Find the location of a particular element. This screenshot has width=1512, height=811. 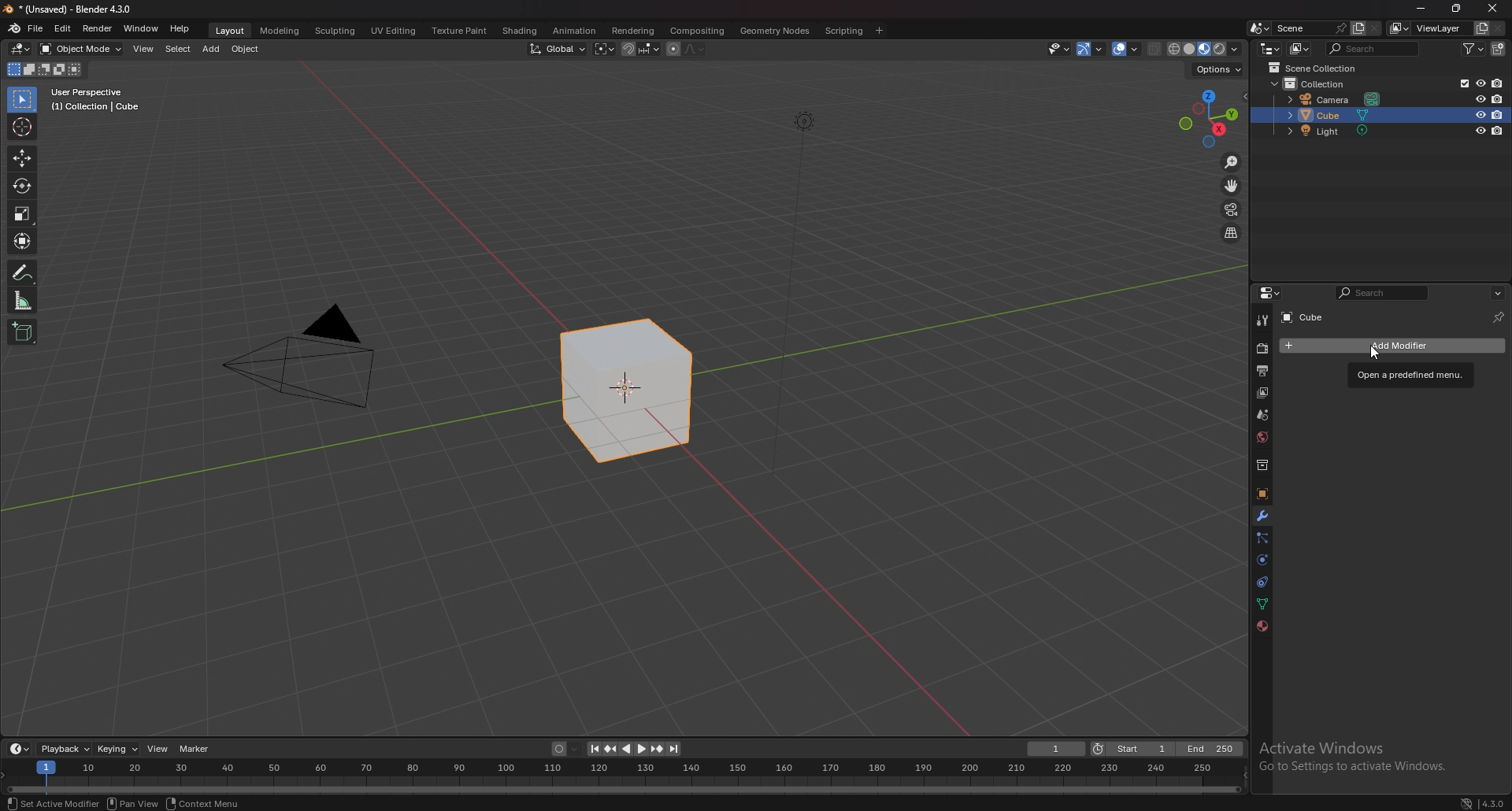

view is located at coordinates (158, 749).